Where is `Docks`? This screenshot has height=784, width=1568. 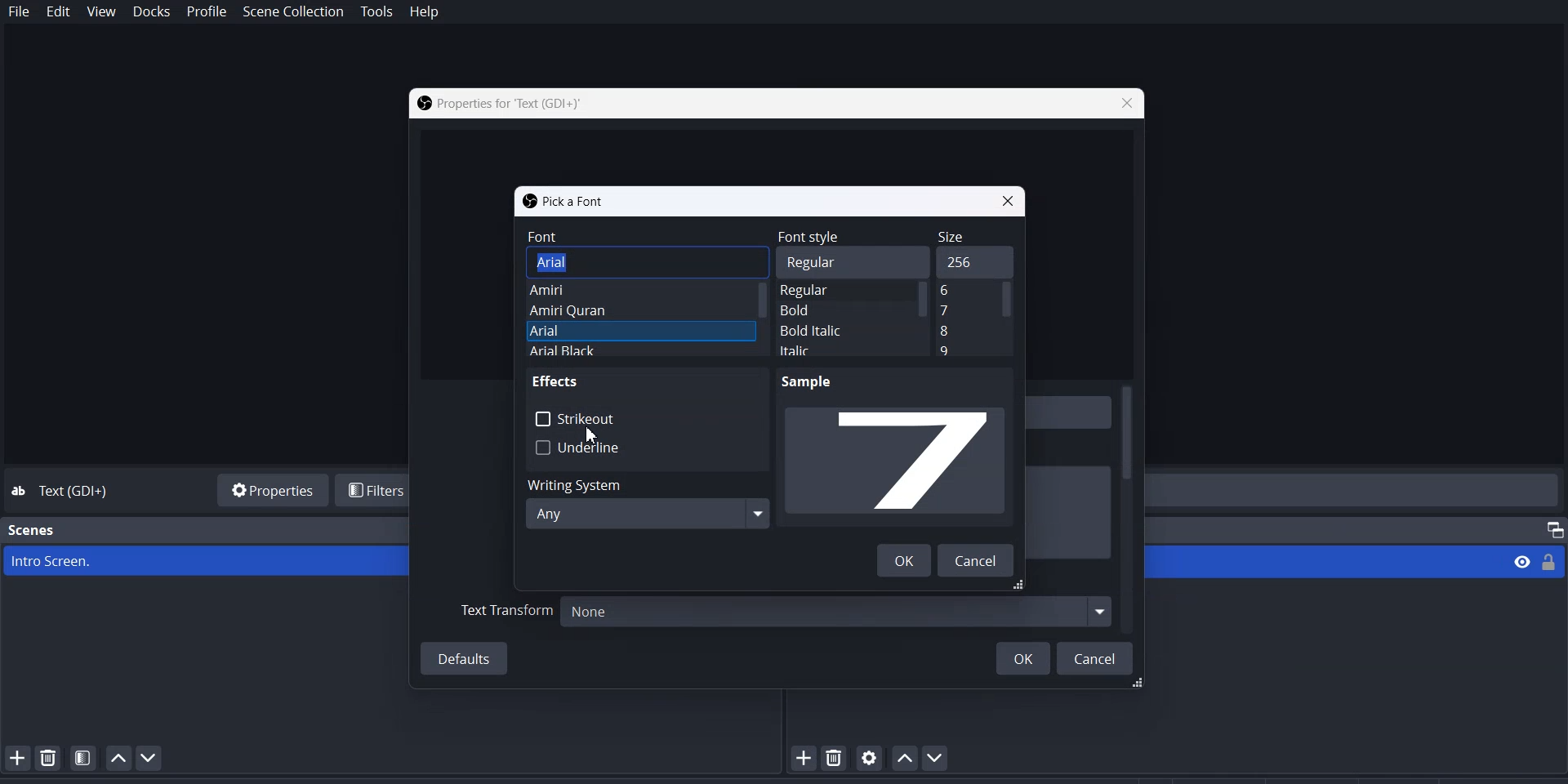
Docks is located at coordinates (151, 12).